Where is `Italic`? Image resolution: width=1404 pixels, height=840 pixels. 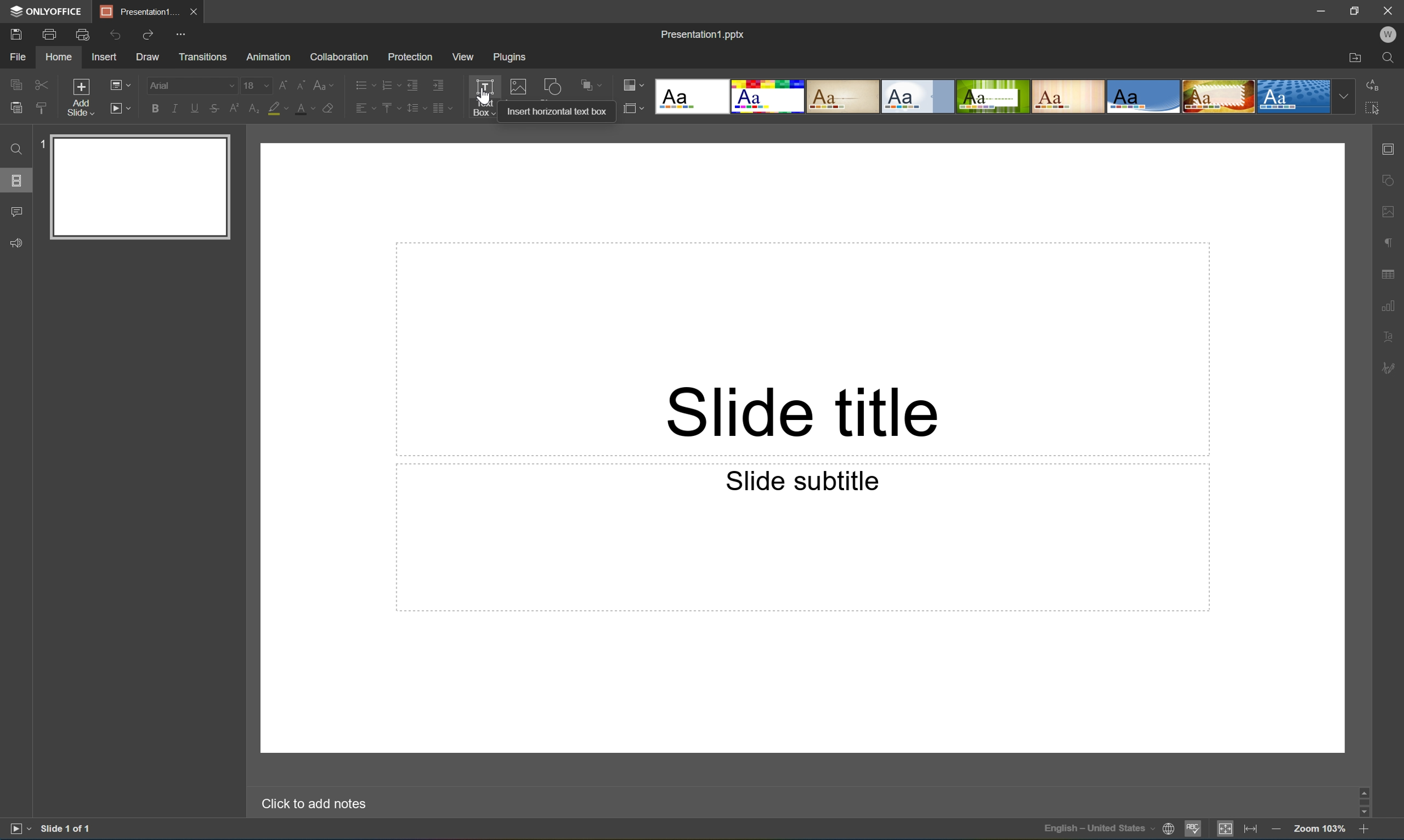 Italic is located at coordinates (174, 109).